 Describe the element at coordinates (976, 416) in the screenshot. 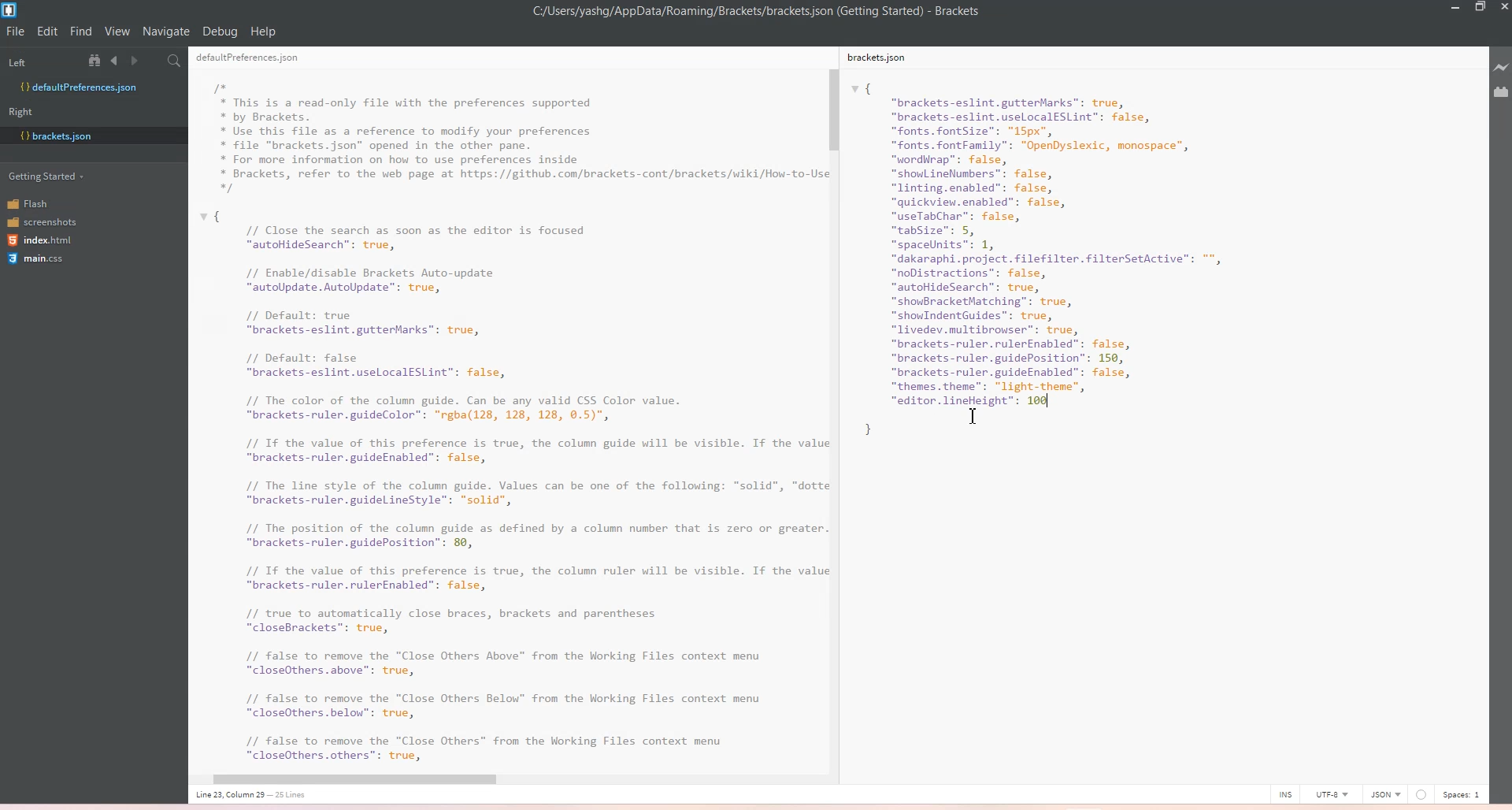

I see `Text Cursor` at that location.